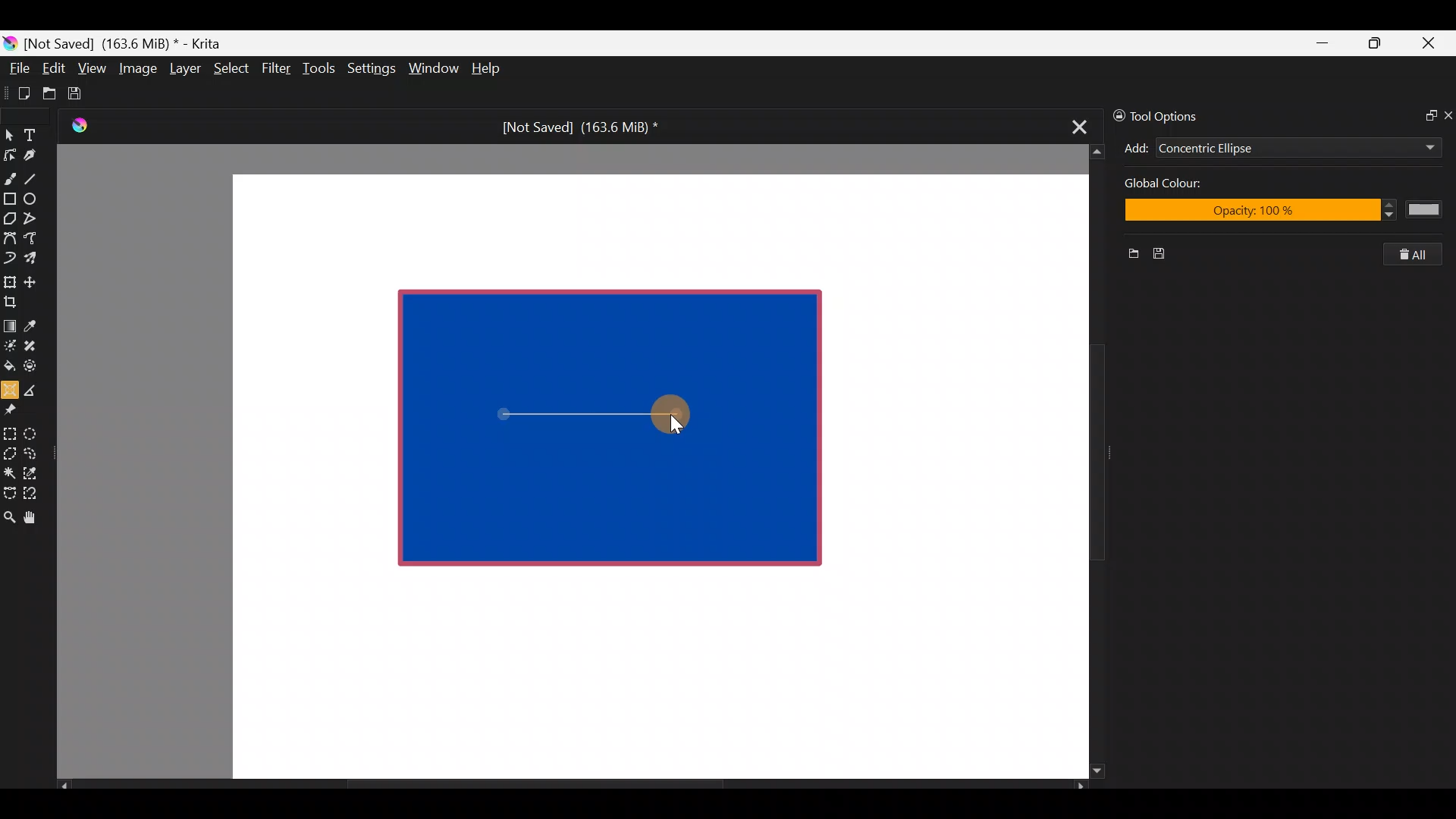  What do you see at coordinates (1253, 149) in the screenshot?
I see `Concentric Ellipse` at bounding box center [1253, 149].